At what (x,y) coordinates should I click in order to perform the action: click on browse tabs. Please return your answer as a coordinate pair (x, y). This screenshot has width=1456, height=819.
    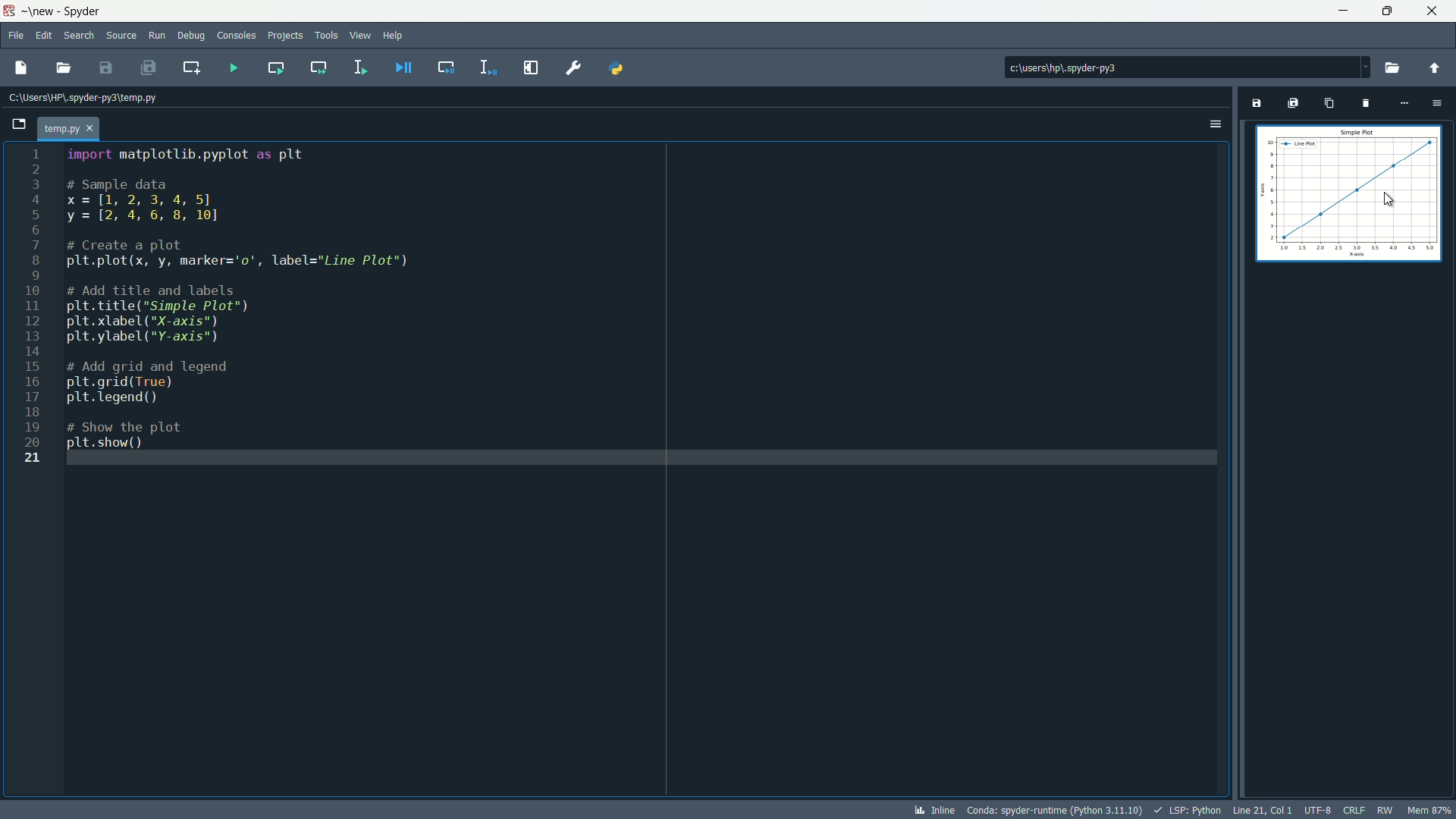
    Looking at the image, I should click on (21, 124).